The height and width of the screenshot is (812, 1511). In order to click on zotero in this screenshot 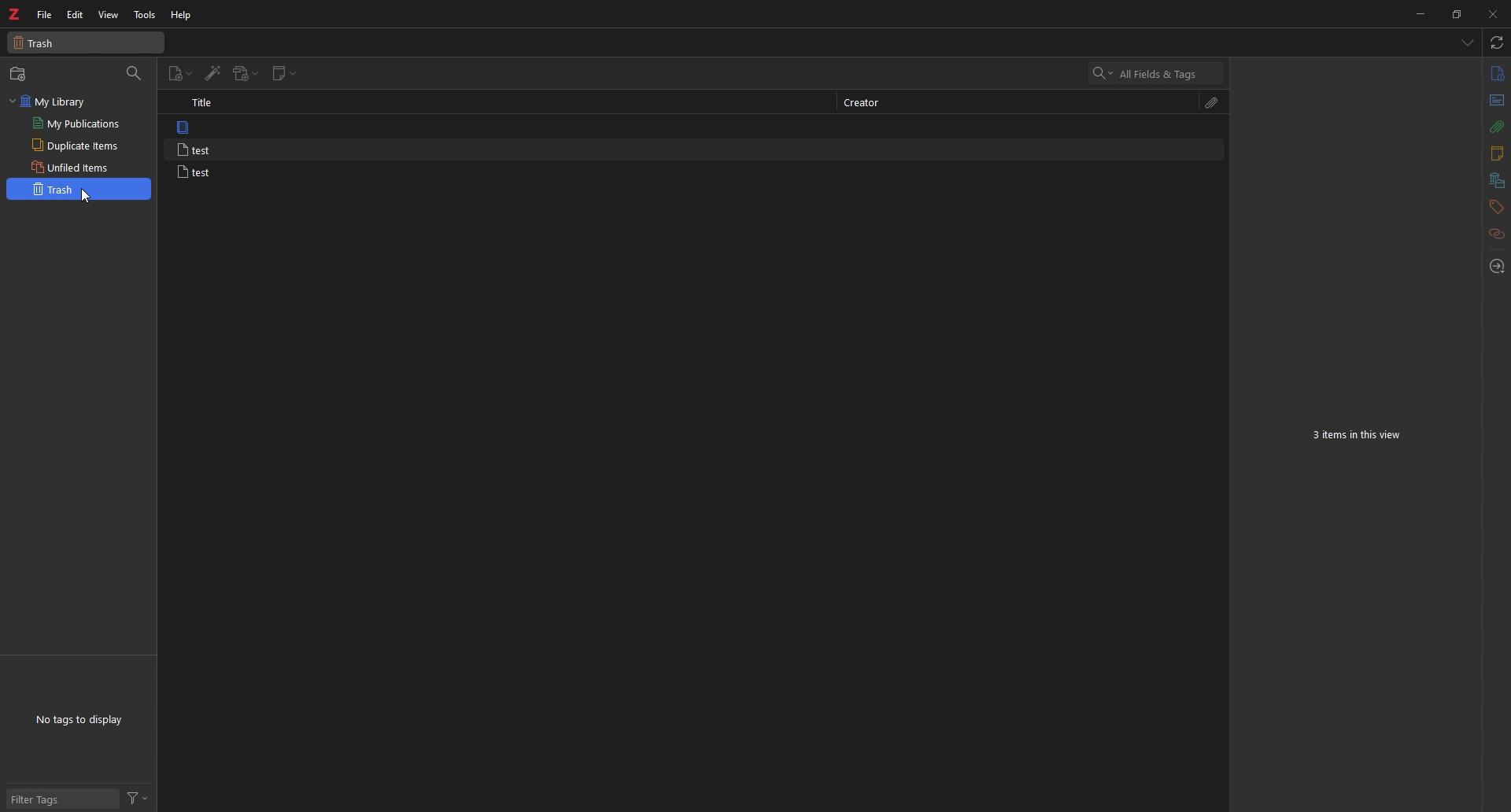, I will do `click(13, 15)`.